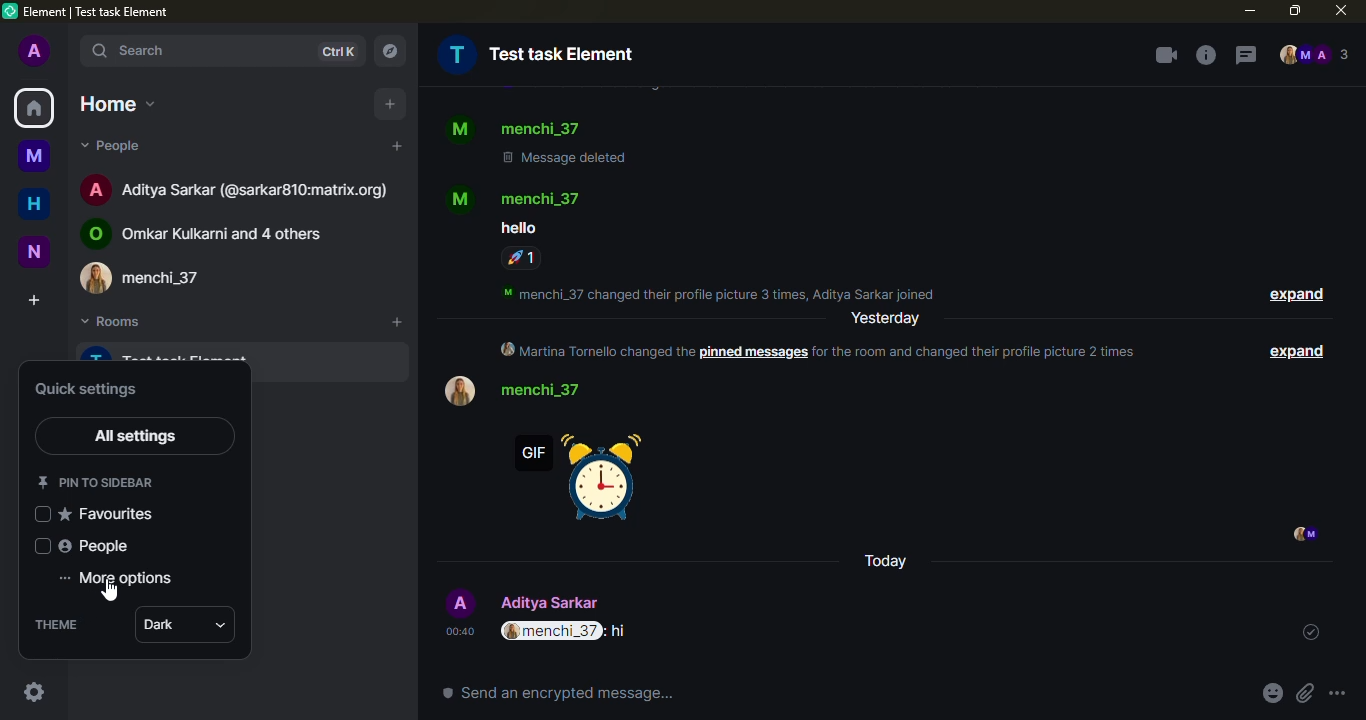  Describe the element at coordinates (827, 349) in the screenshot. I see `info` at that location.